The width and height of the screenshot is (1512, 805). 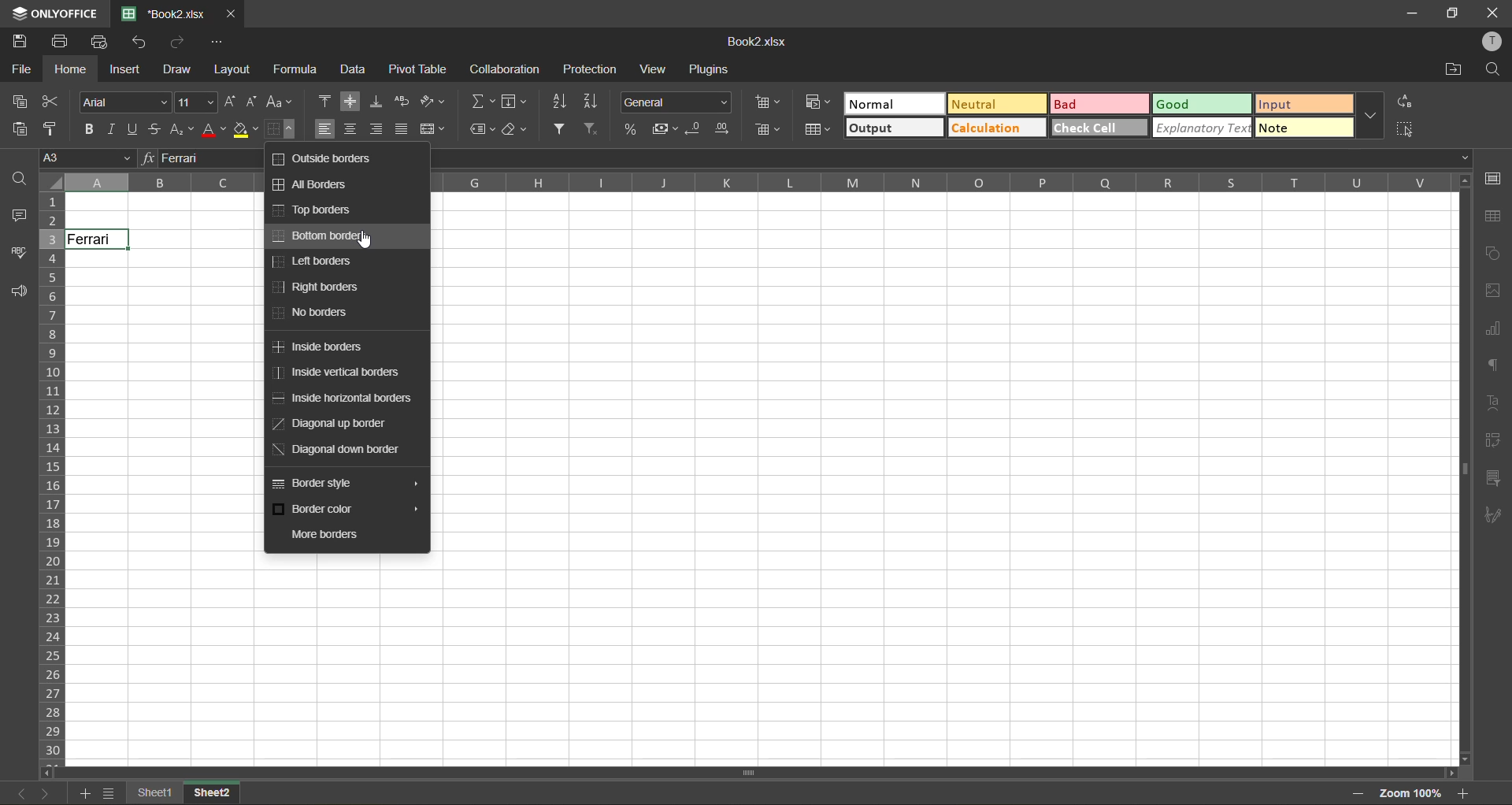 I want to click on text, so click(x=1495, y=406).